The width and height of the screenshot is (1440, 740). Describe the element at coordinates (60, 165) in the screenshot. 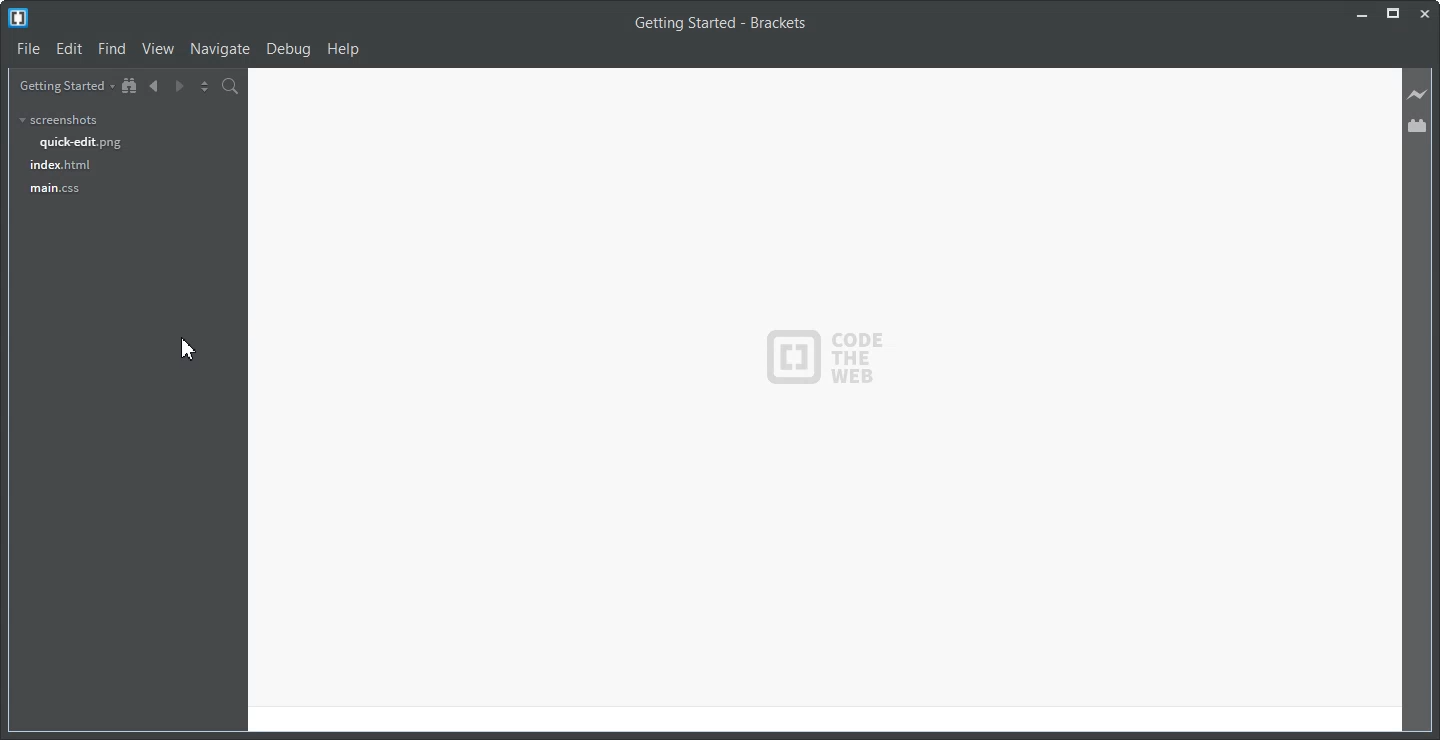

I see `index.html` at that location.